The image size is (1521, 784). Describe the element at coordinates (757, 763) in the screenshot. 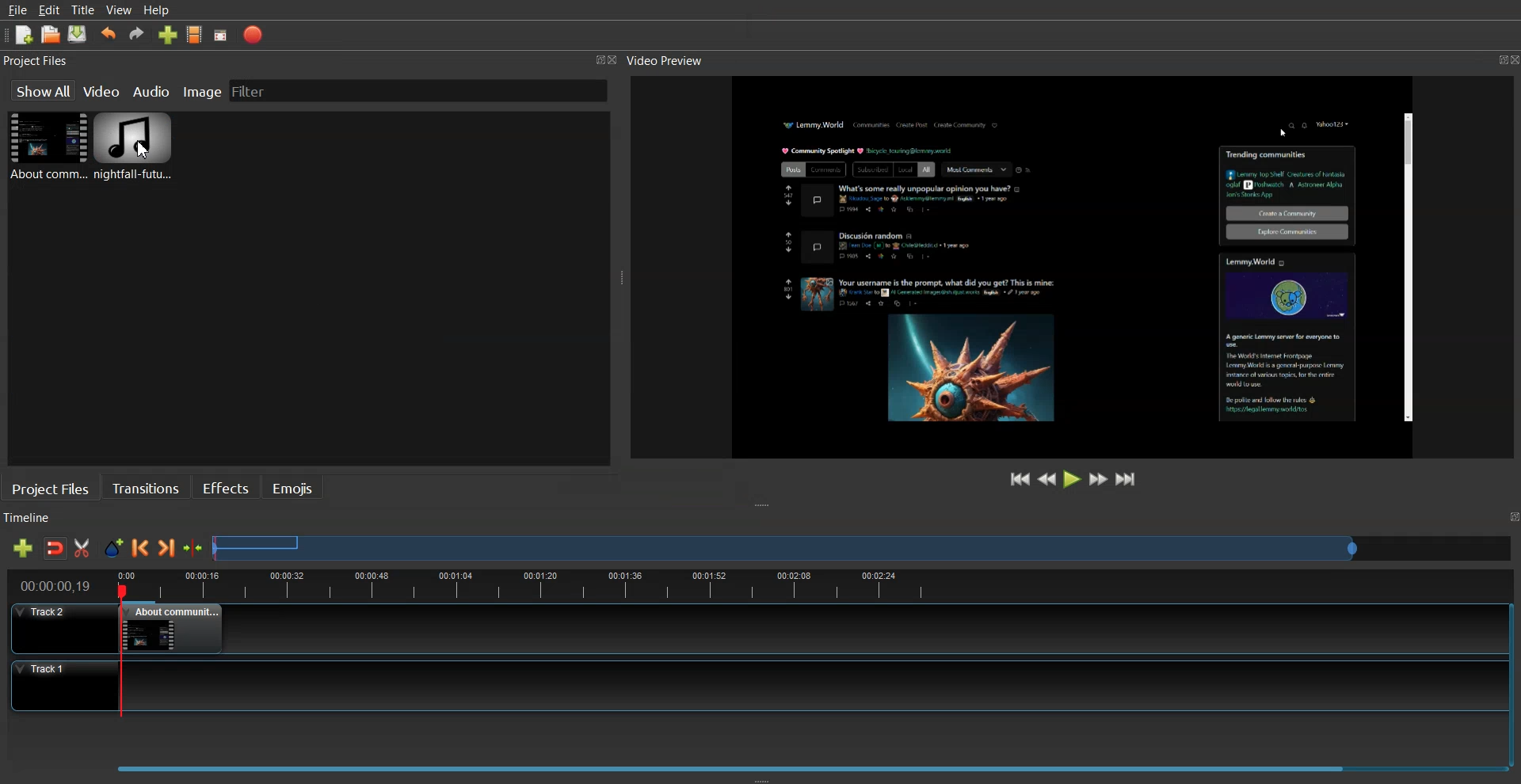

I see `Slider` at that location.